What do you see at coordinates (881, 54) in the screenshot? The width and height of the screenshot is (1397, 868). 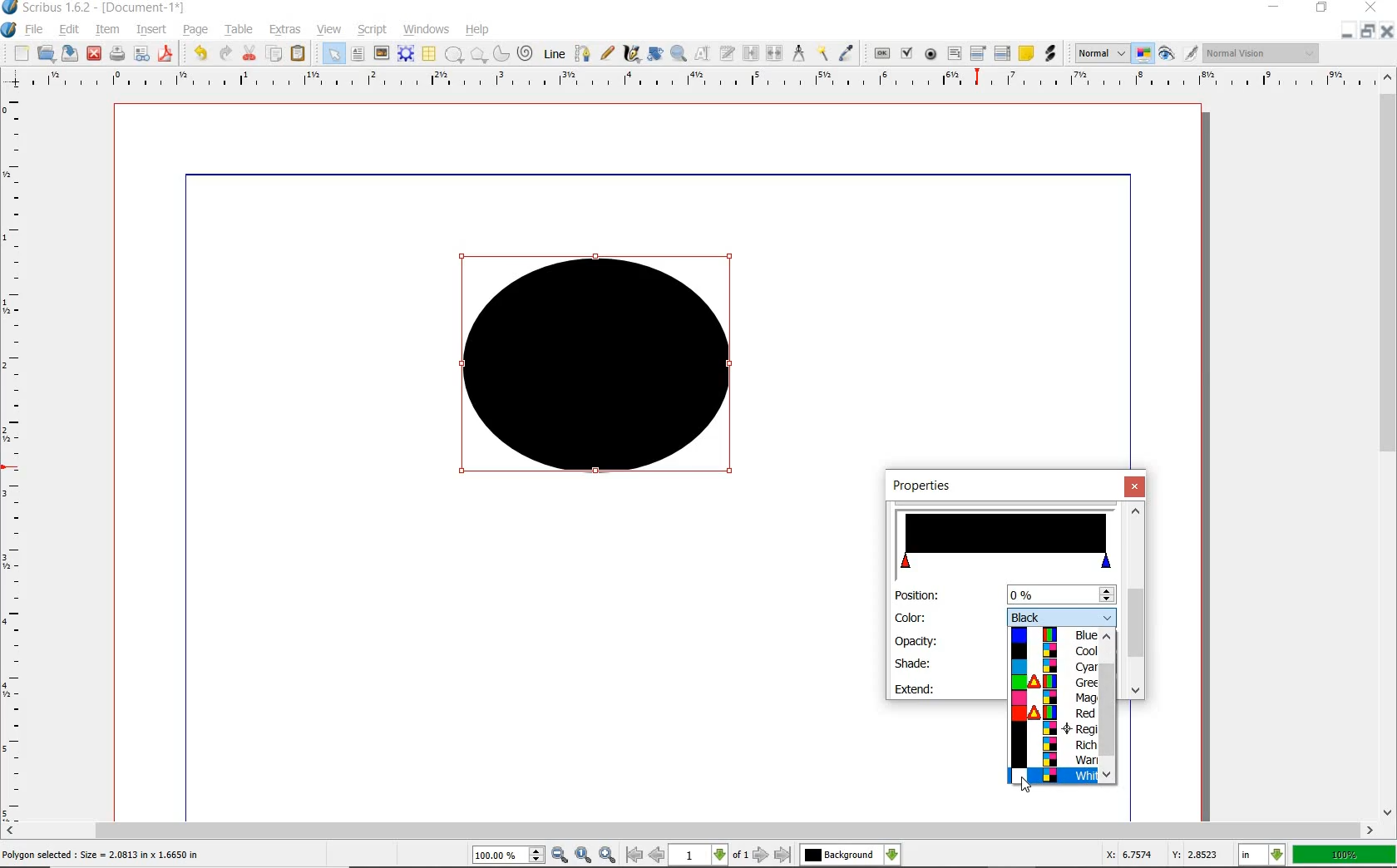 I see `PDF PUSH BUTTON` at bounding box center [881, 54].